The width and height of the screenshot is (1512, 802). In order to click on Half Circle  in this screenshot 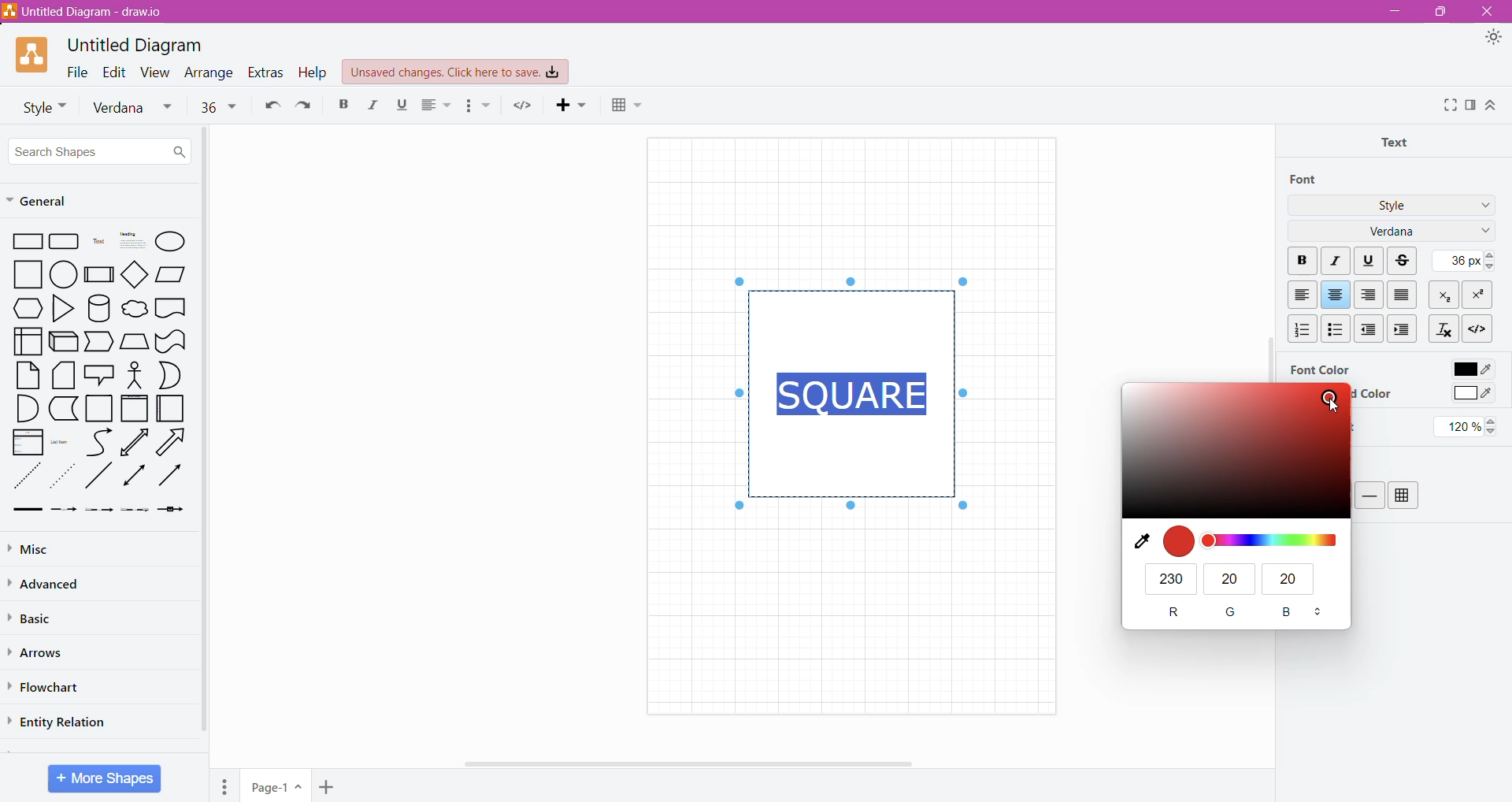, I will do `click(171, 375)`.